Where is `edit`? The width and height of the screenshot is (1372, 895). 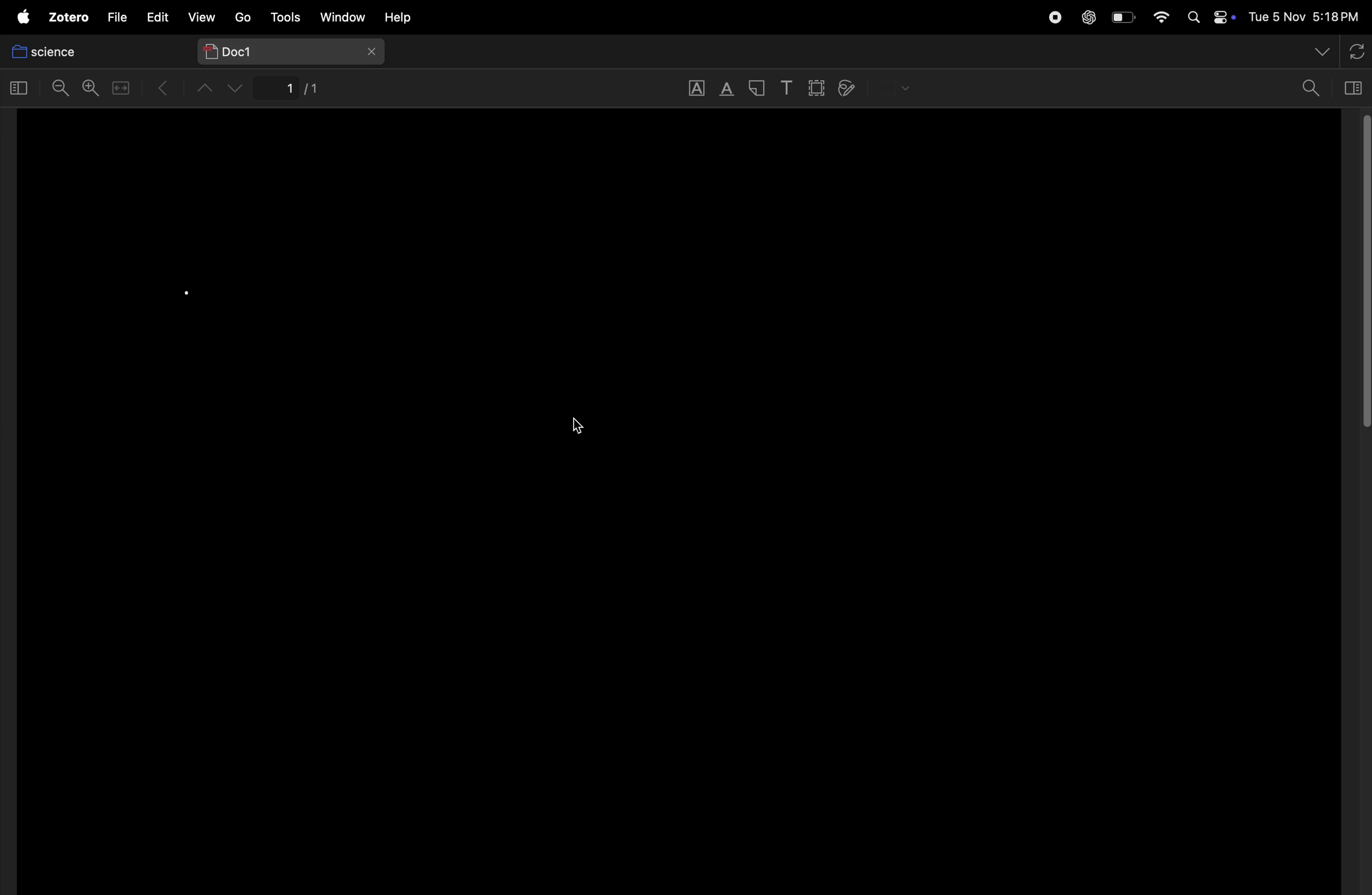 edit is located at coordinates (158, 17).